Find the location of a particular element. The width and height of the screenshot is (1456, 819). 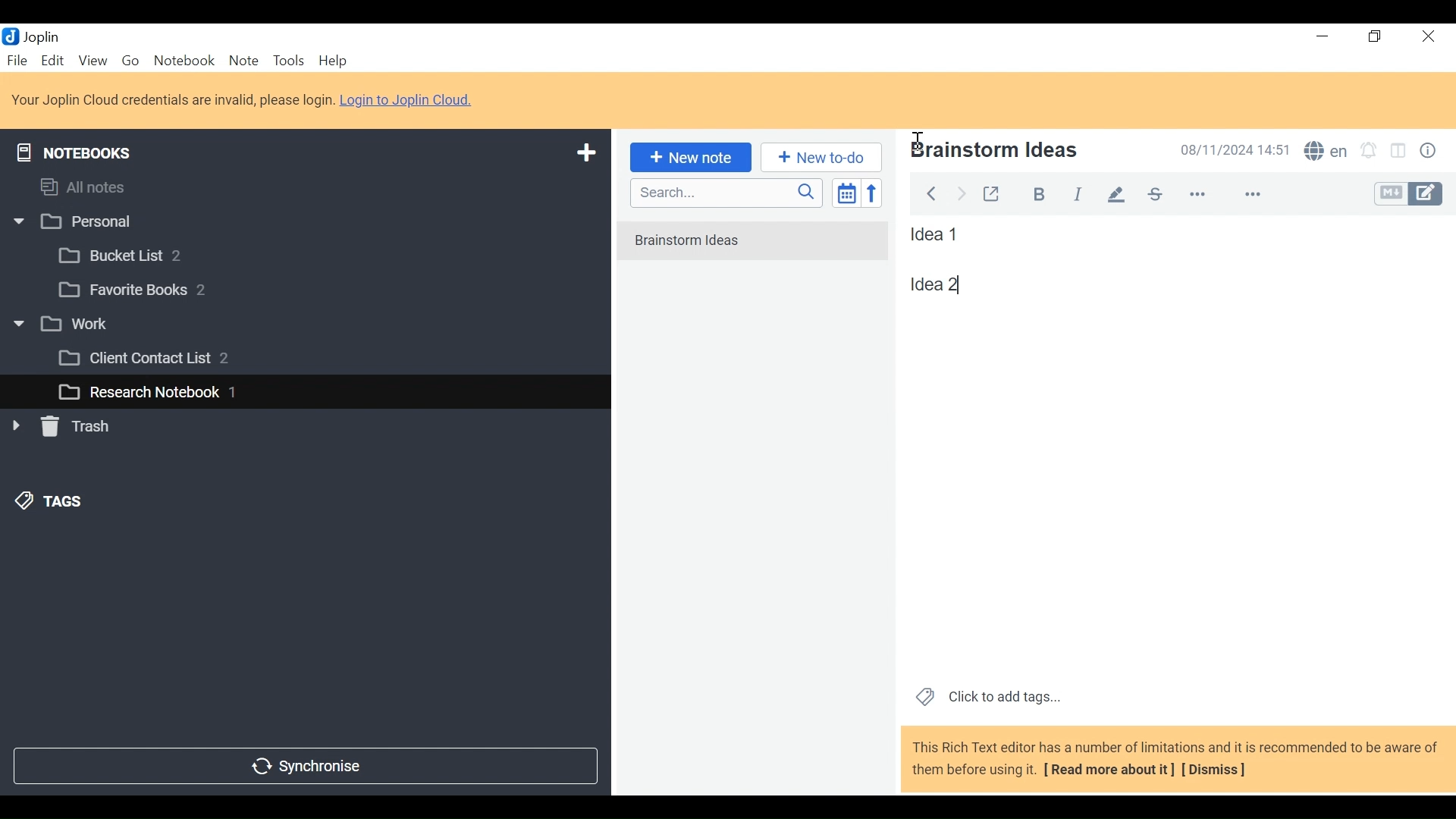

All notes is located at coordinates (97, 184).